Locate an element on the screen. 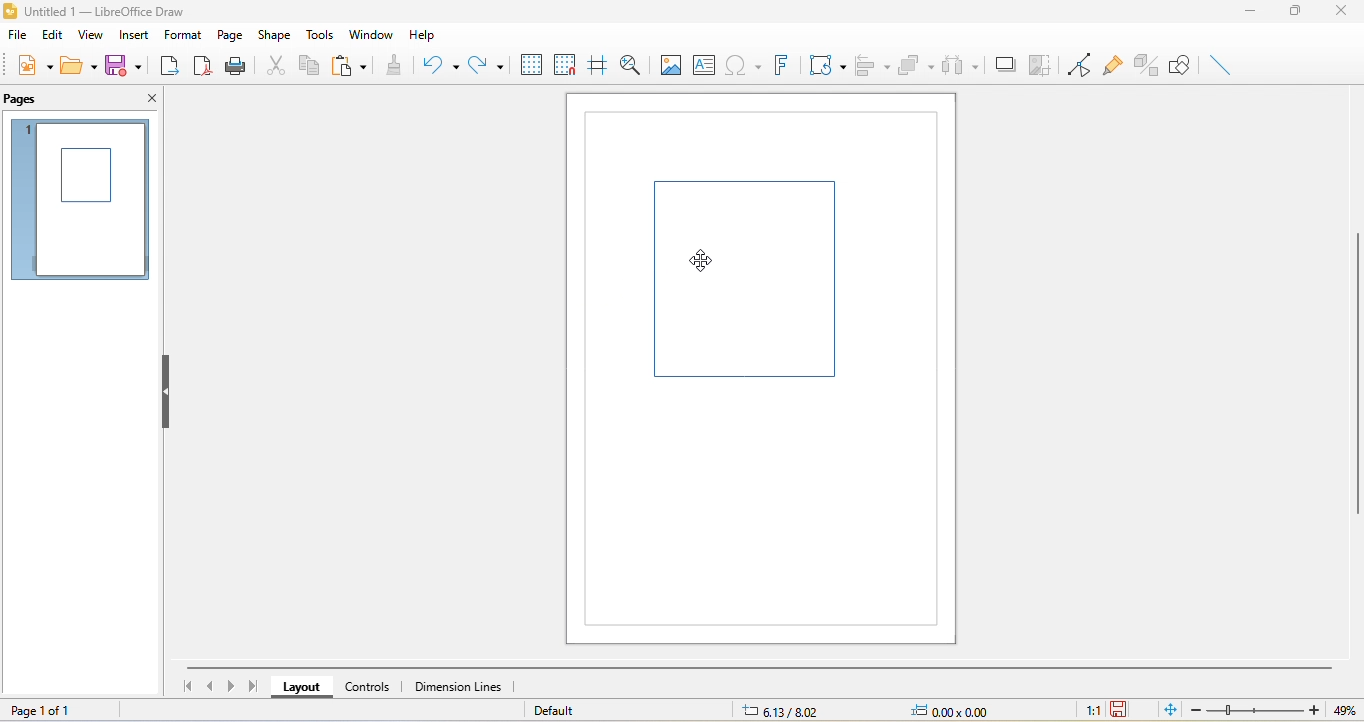  cut is located at coordinates (277, 63).